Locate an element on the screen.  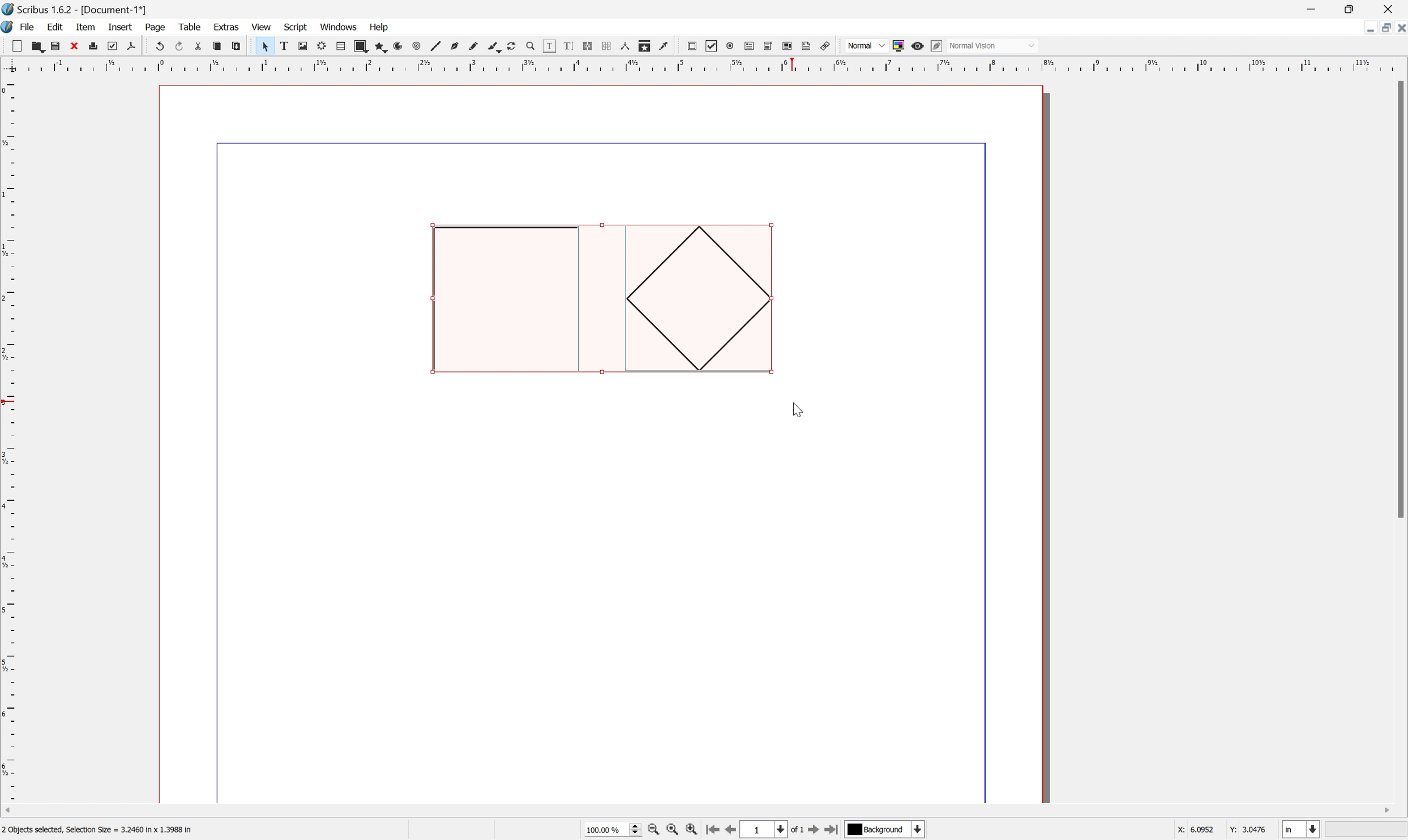
line is located at coordinates (434, 45).